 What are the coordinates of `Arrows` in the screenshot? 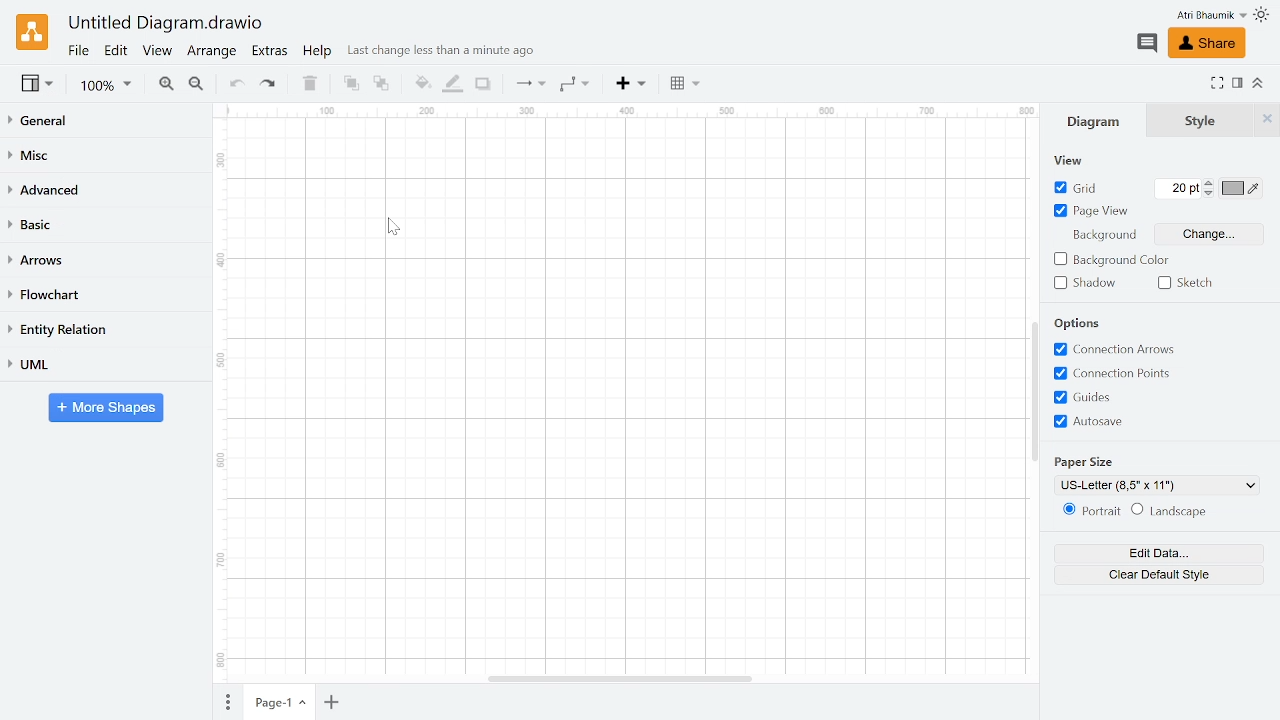 It's located at (102, 262).